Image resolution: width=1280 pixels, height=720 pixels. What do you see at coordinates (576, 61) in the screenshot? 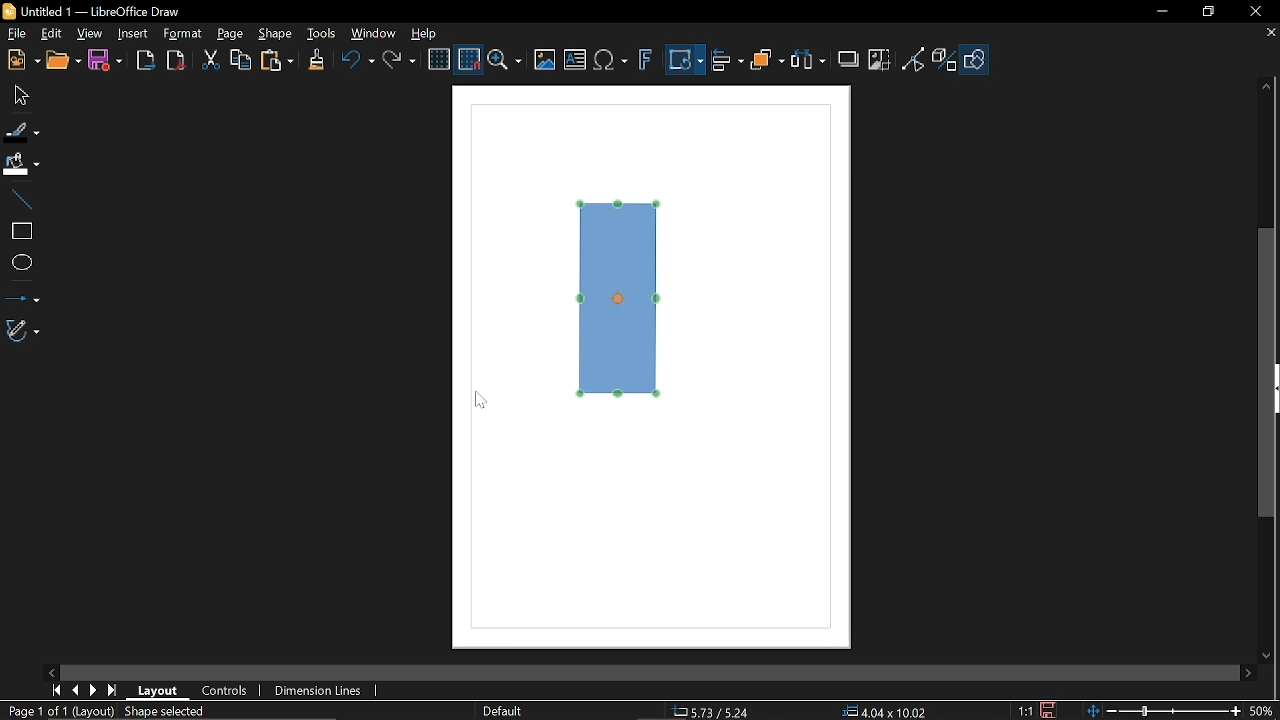
I see `Insert text` at bounding box center [576, 61].